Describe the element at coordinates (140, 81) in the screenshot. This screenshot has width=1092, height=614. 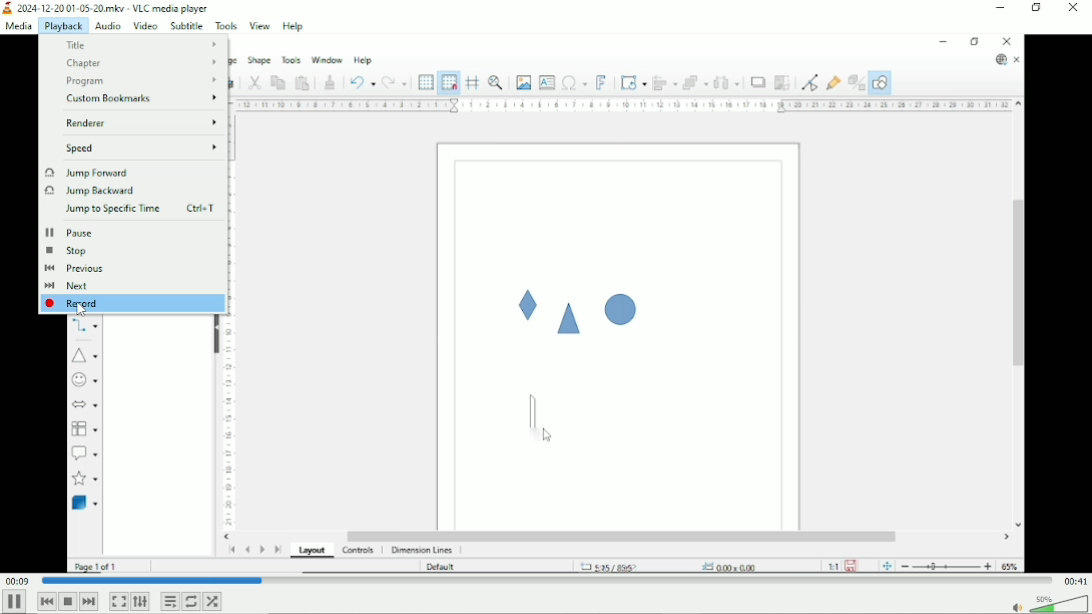
I see `Program` at that location.